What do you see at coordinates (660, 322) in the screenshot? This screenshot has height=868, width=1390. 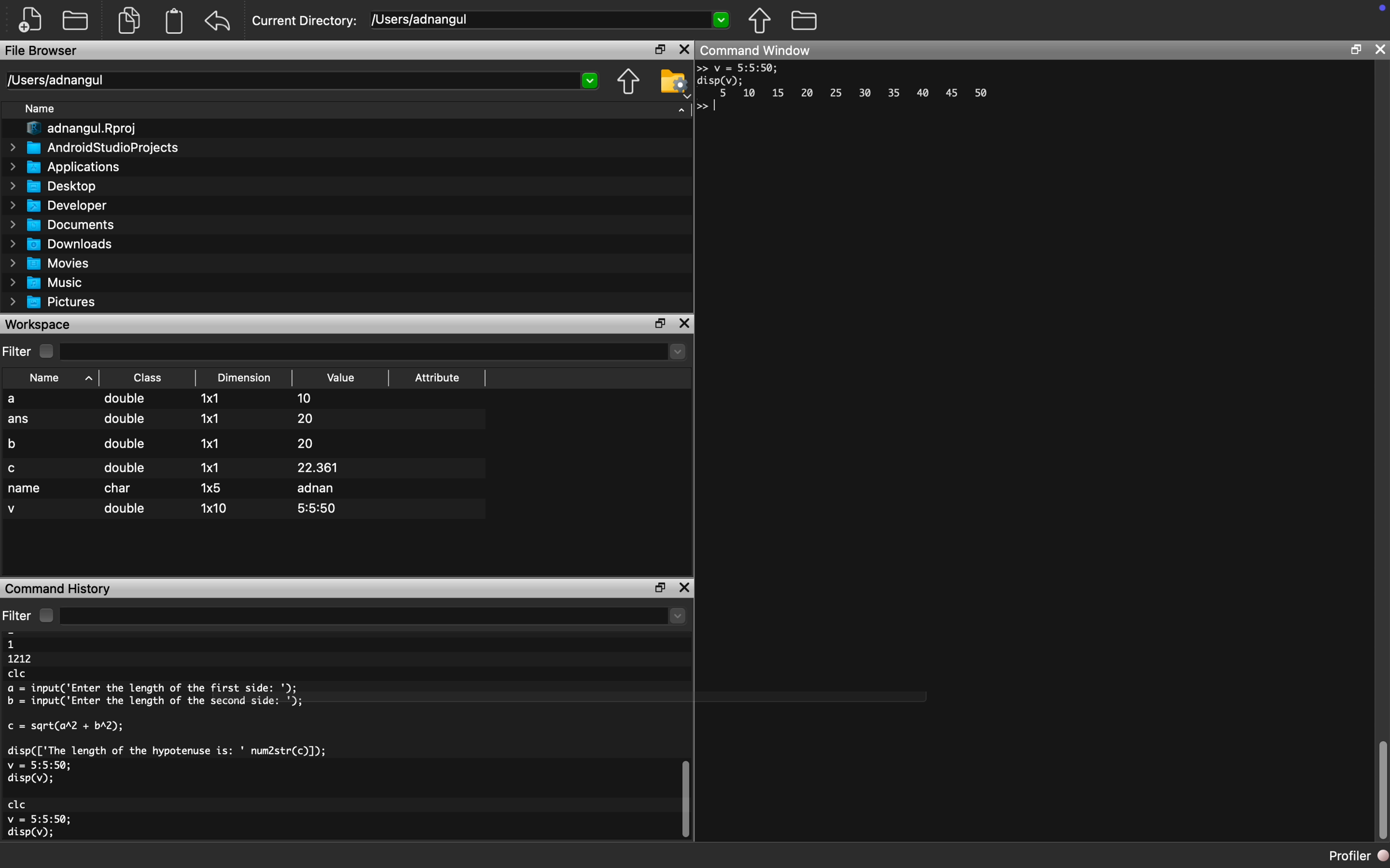 I see `maximize` at bounding box center [660, 322].